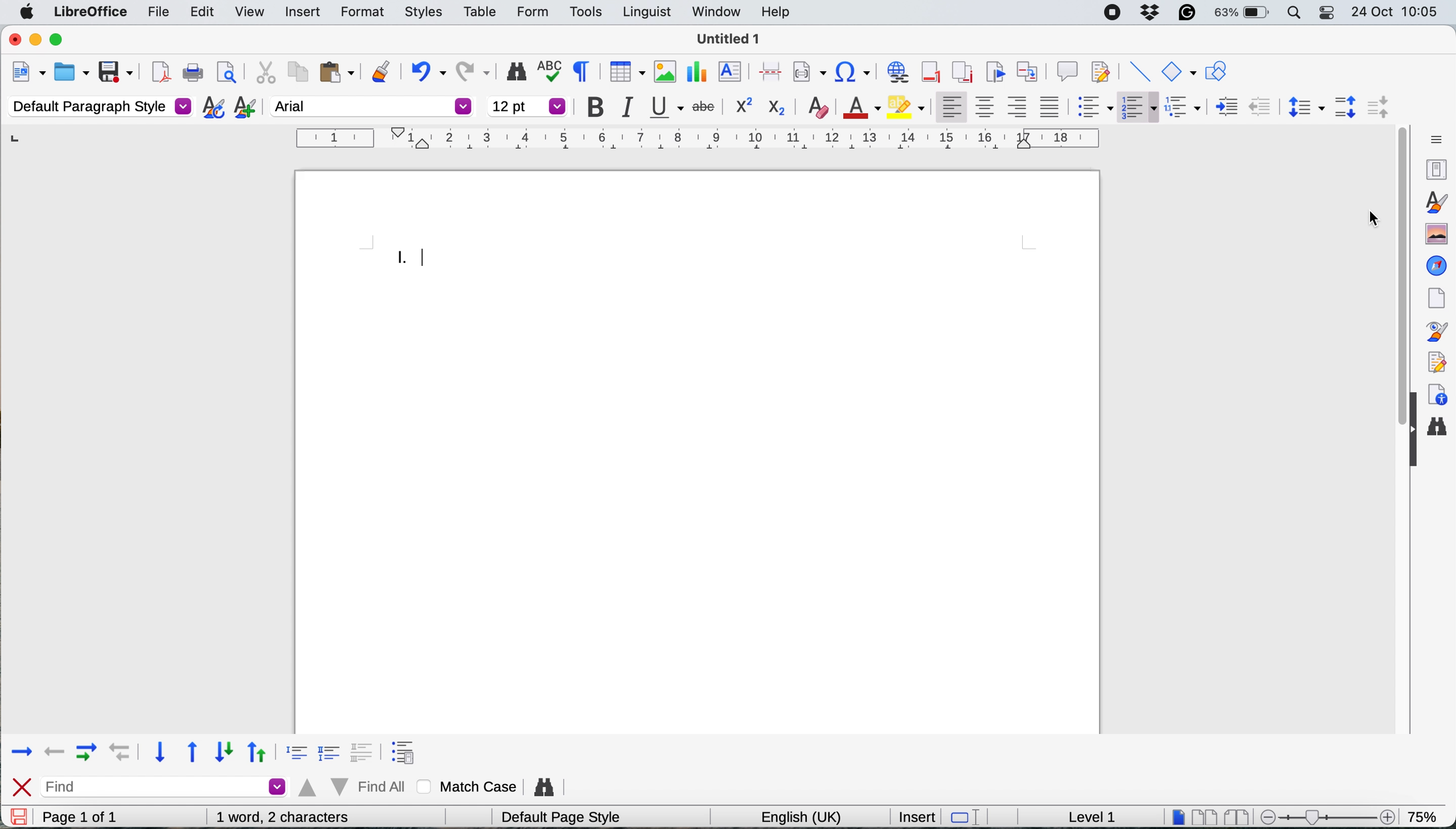  Describe the element at coordinates (406, 257) in the screenshot. I see `roman numerals inserted` at that location.